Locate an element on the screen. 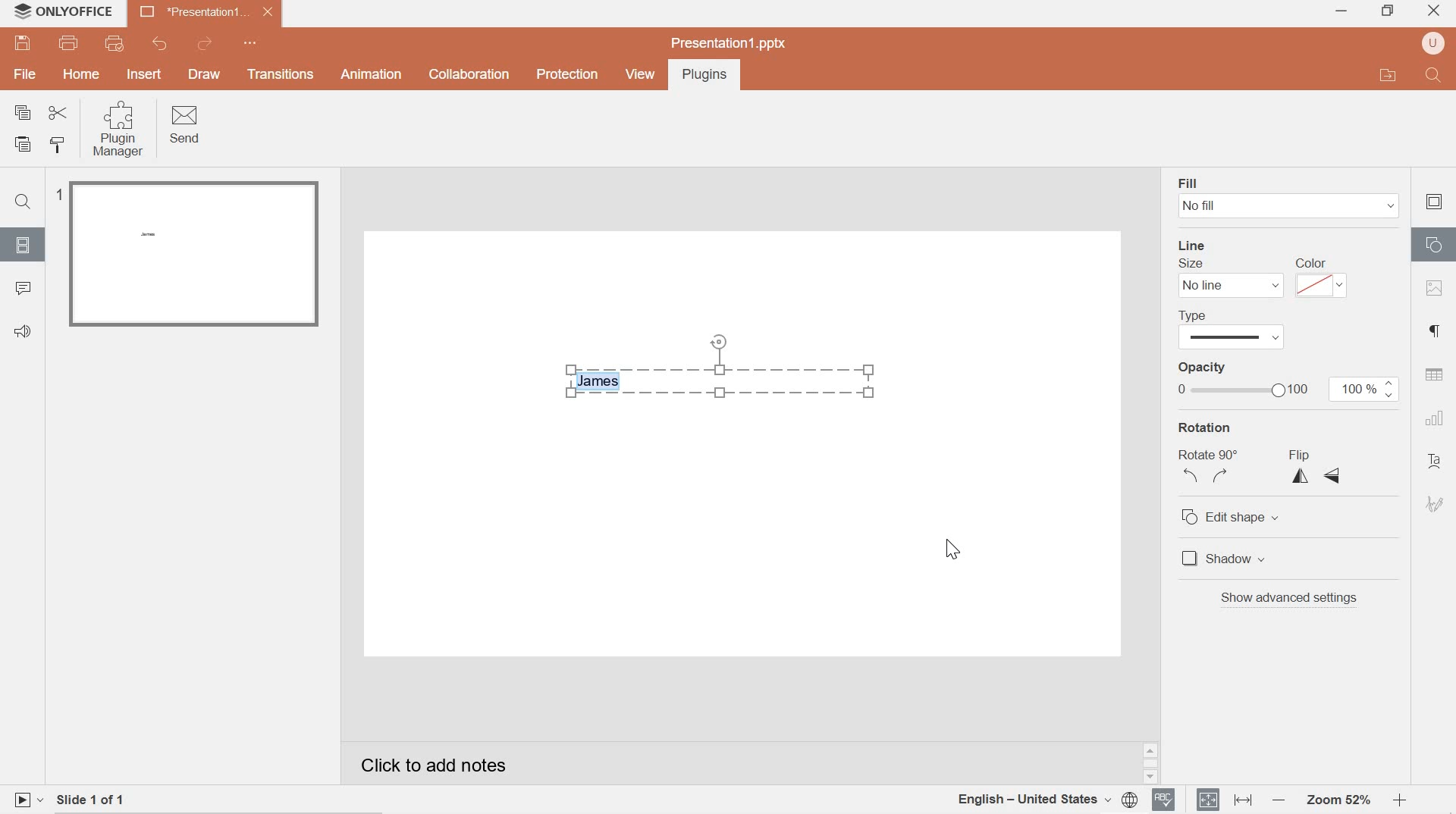 The height and width of the screenshot is (814, 1456). rotation is located at coordinates (1205, 426).